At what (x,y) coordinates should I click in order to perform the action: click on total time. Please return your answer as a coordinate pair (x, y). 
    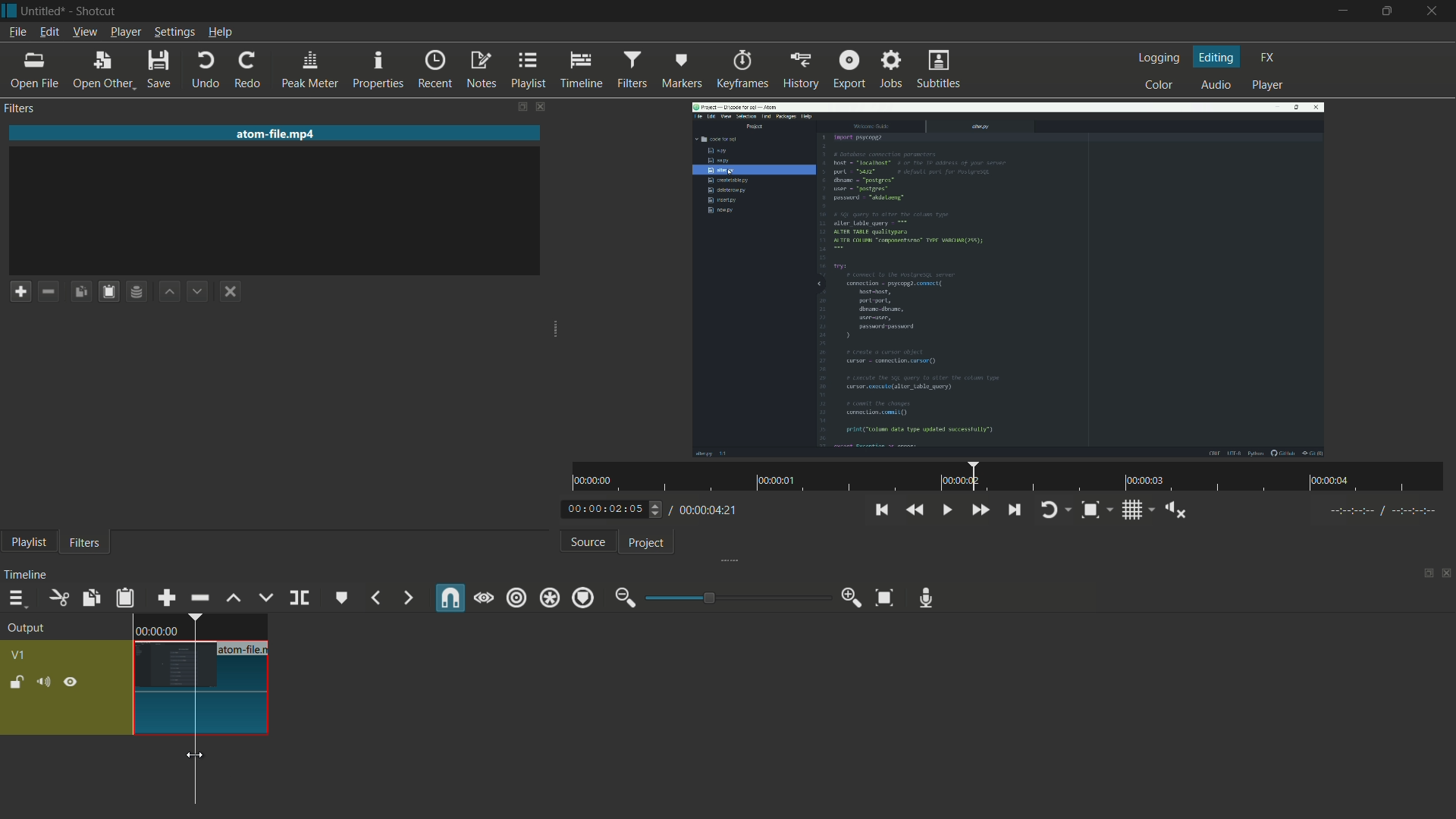
    Looking at the image, I should click on (711, 510).